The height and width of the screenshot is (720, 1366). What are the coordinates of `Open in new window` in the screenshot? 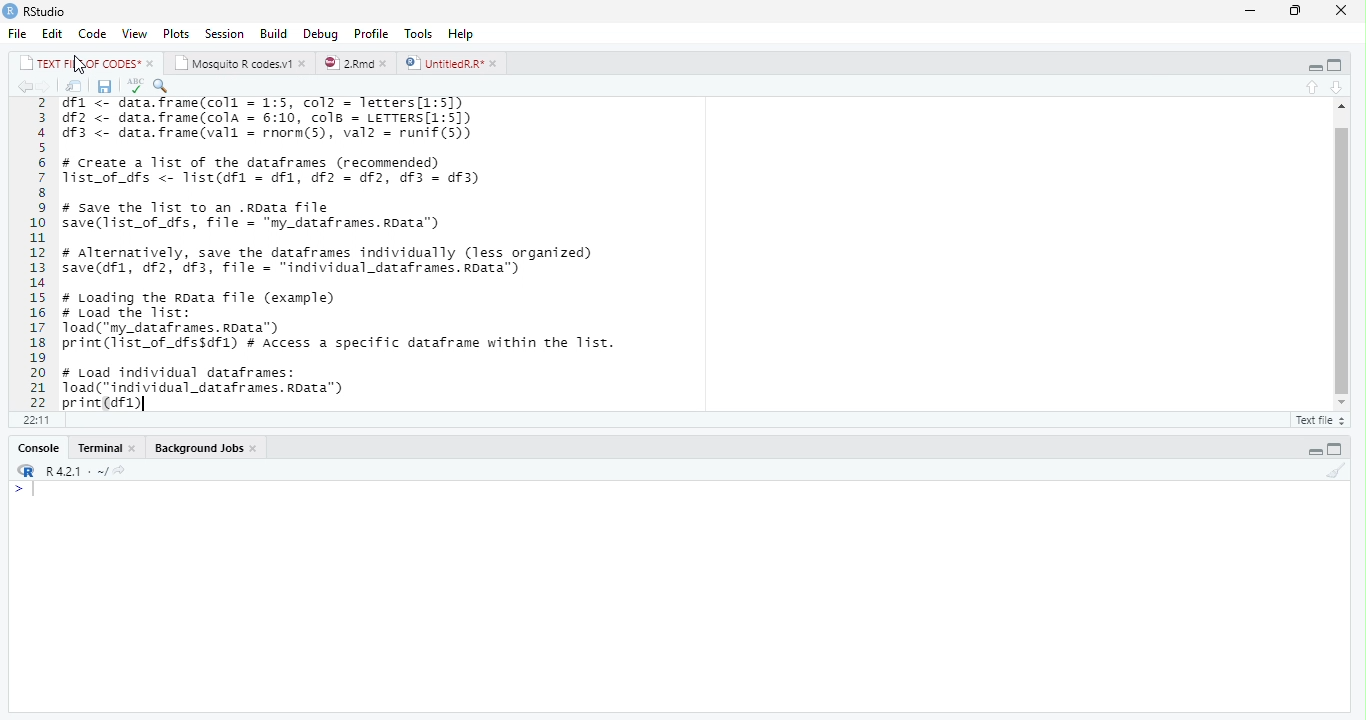 It's located at (74, 87).